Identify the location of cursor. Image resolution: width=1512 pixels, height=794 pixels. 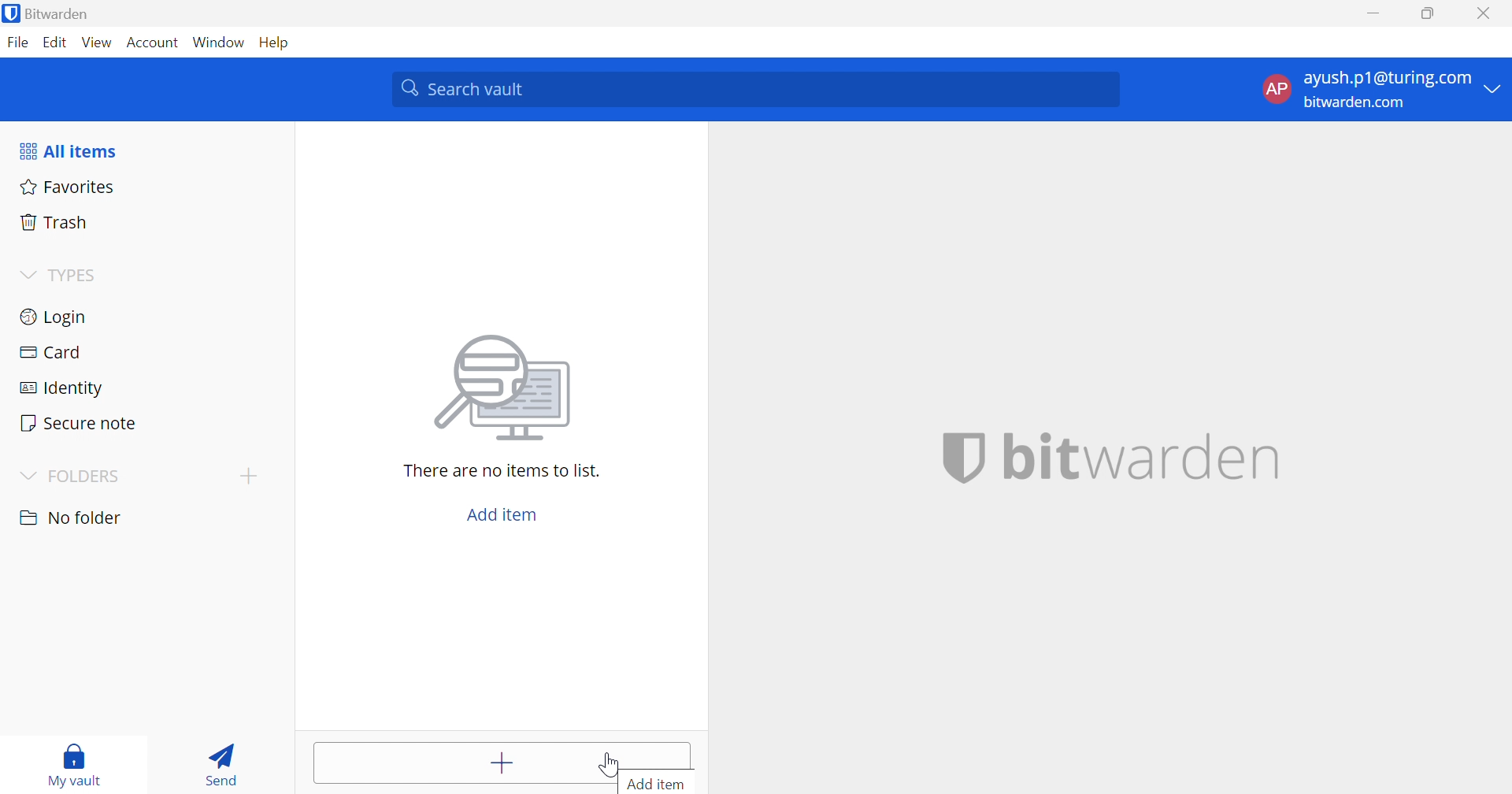
(616, 764).